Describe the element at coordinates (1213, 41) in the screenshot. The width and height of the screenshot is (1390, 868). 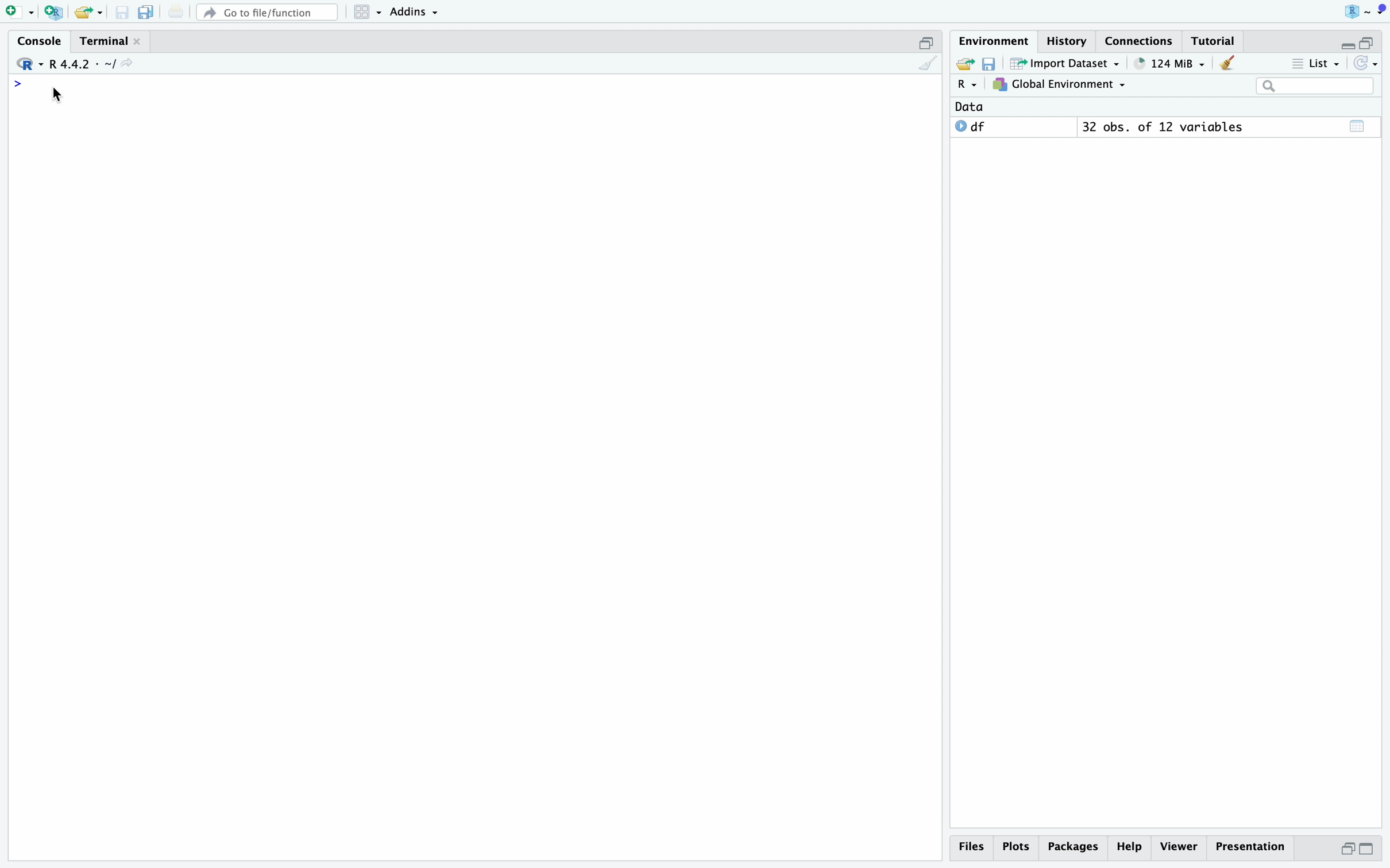
I see `tutorial` at that location.